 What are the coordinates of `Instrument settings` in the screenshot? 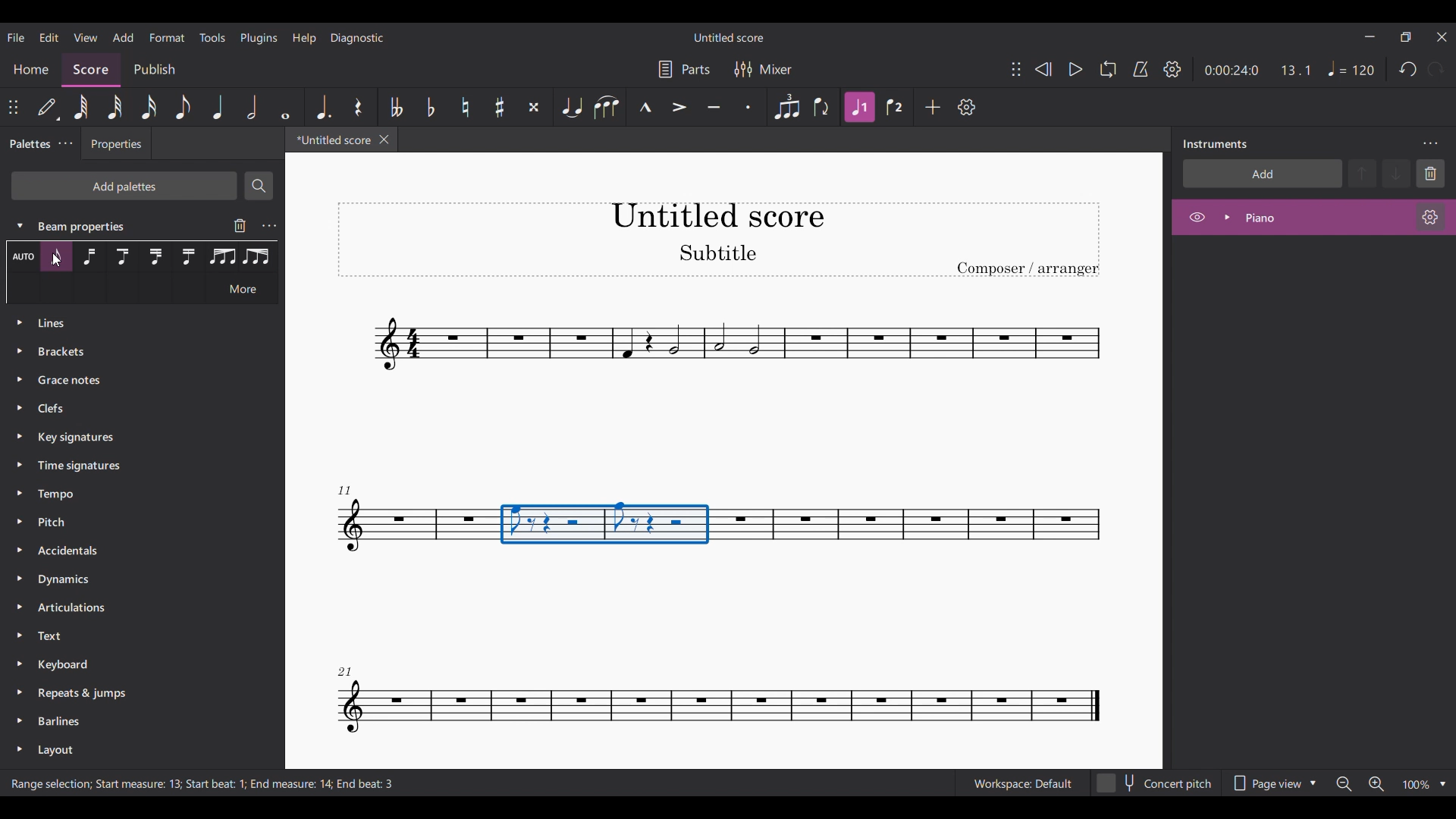 It's located at (1431, 217).